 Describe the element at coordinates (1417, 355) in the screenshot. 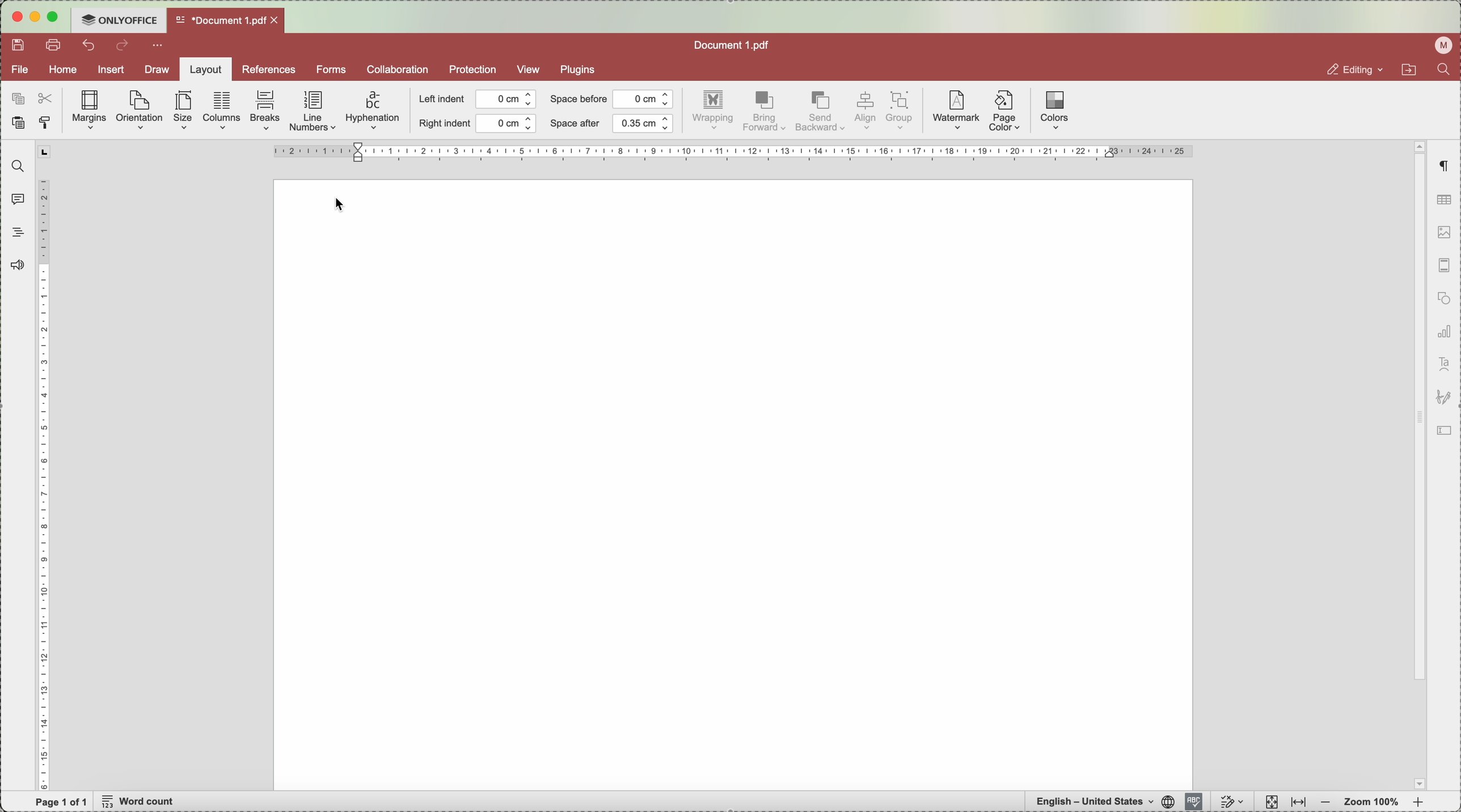

I see `scroll bar` at that location.